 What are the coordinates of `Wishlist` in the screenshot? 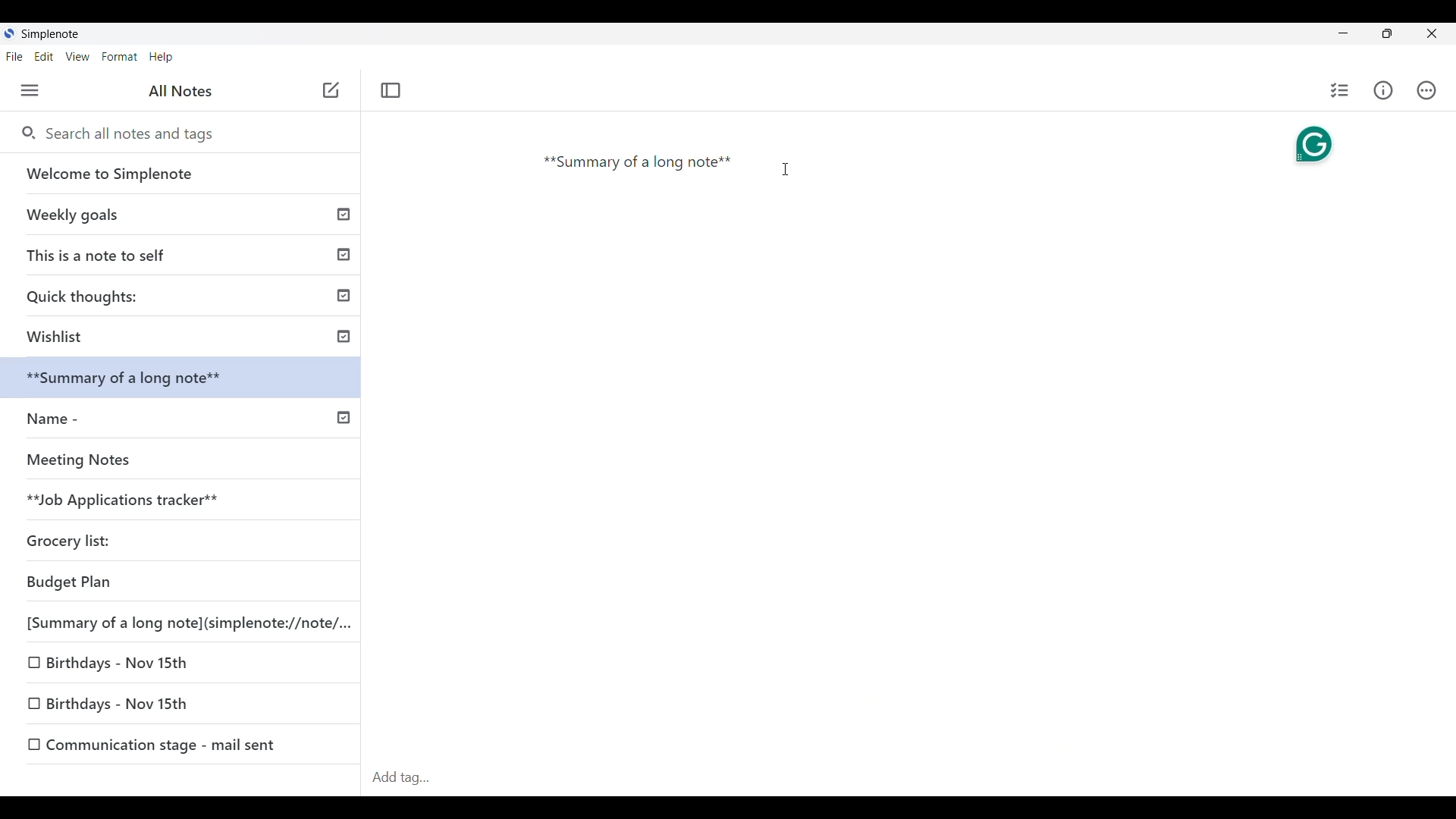 It's located at (184, 335).